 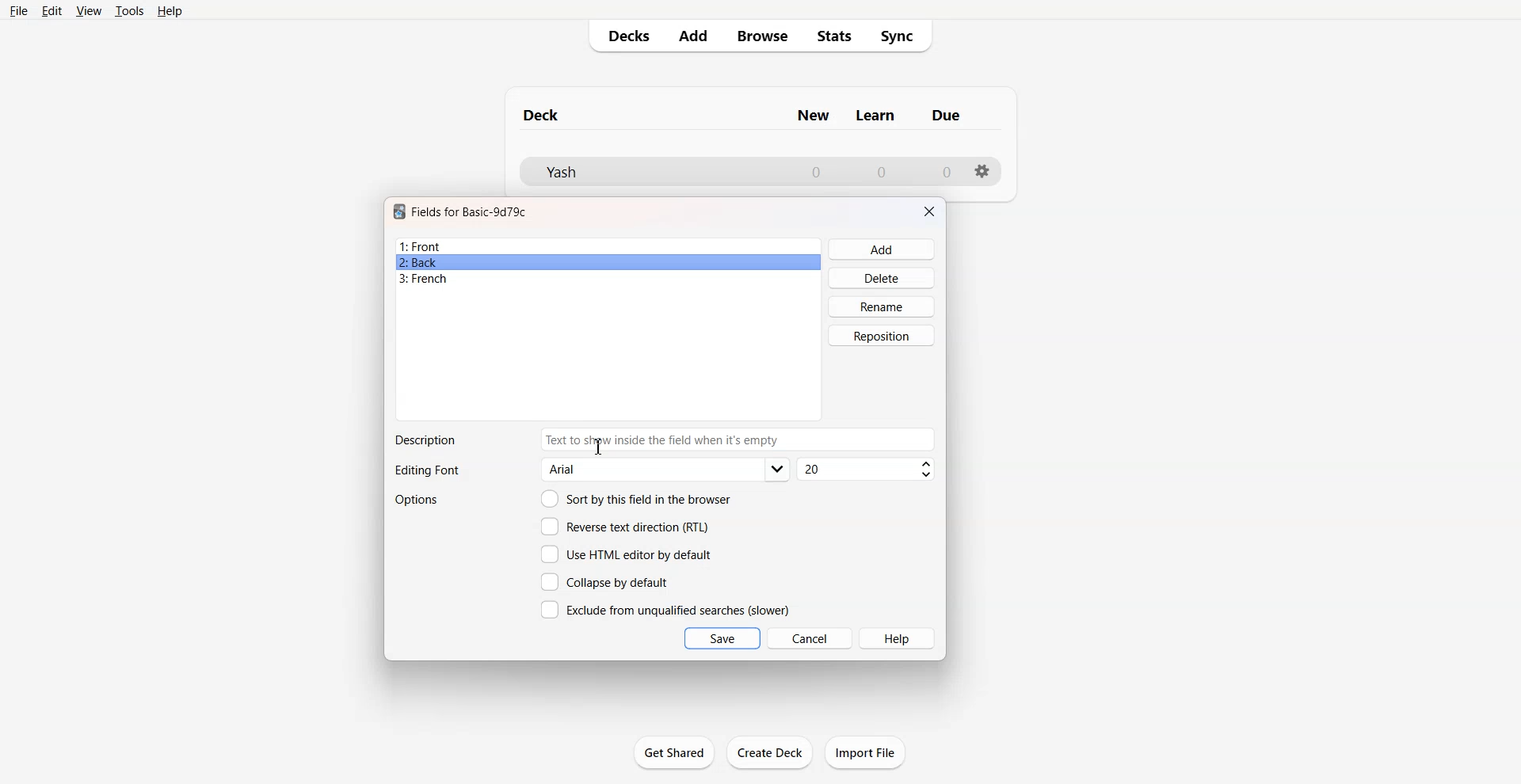 I want to click on Create Deck, so click(x=771, y=752).